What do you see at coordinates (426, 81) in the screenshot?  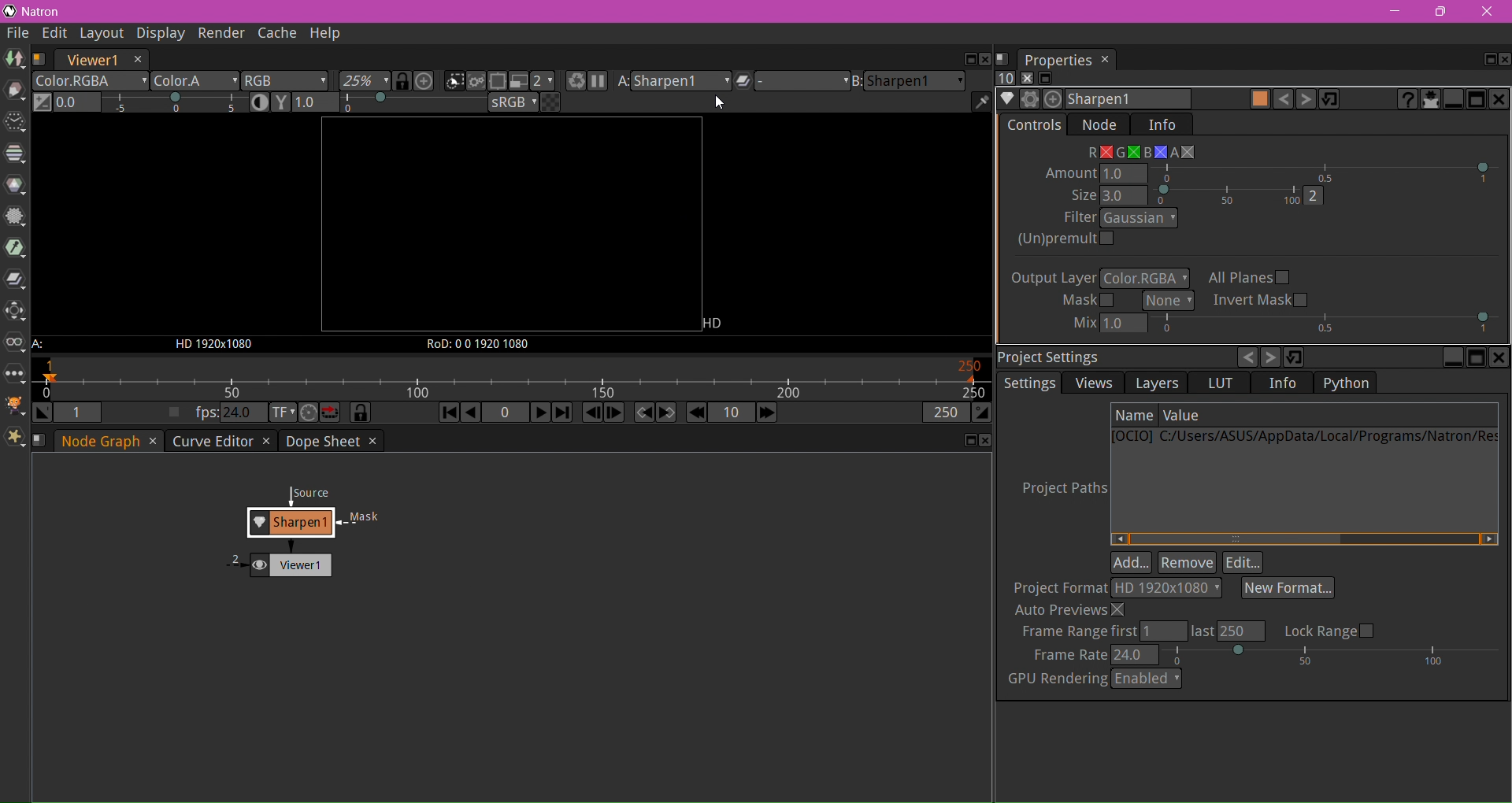 I see `Selects the image so it doesn't exceed the size of the viewer and centers it` at bounding box center [426, 81].